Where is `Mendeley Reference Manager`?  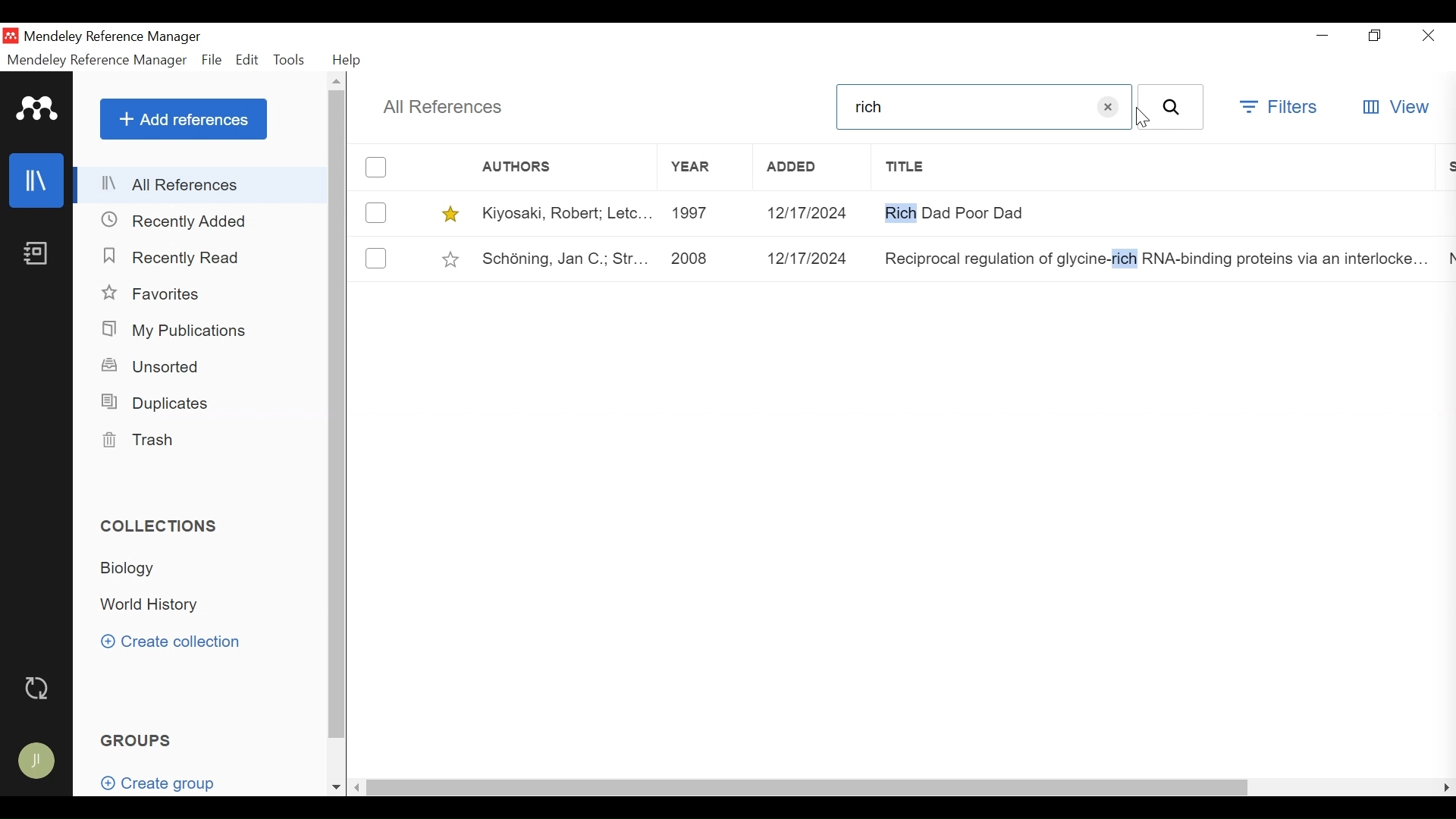 Mendeley Reference Manager is located at coordinates (97, 60).